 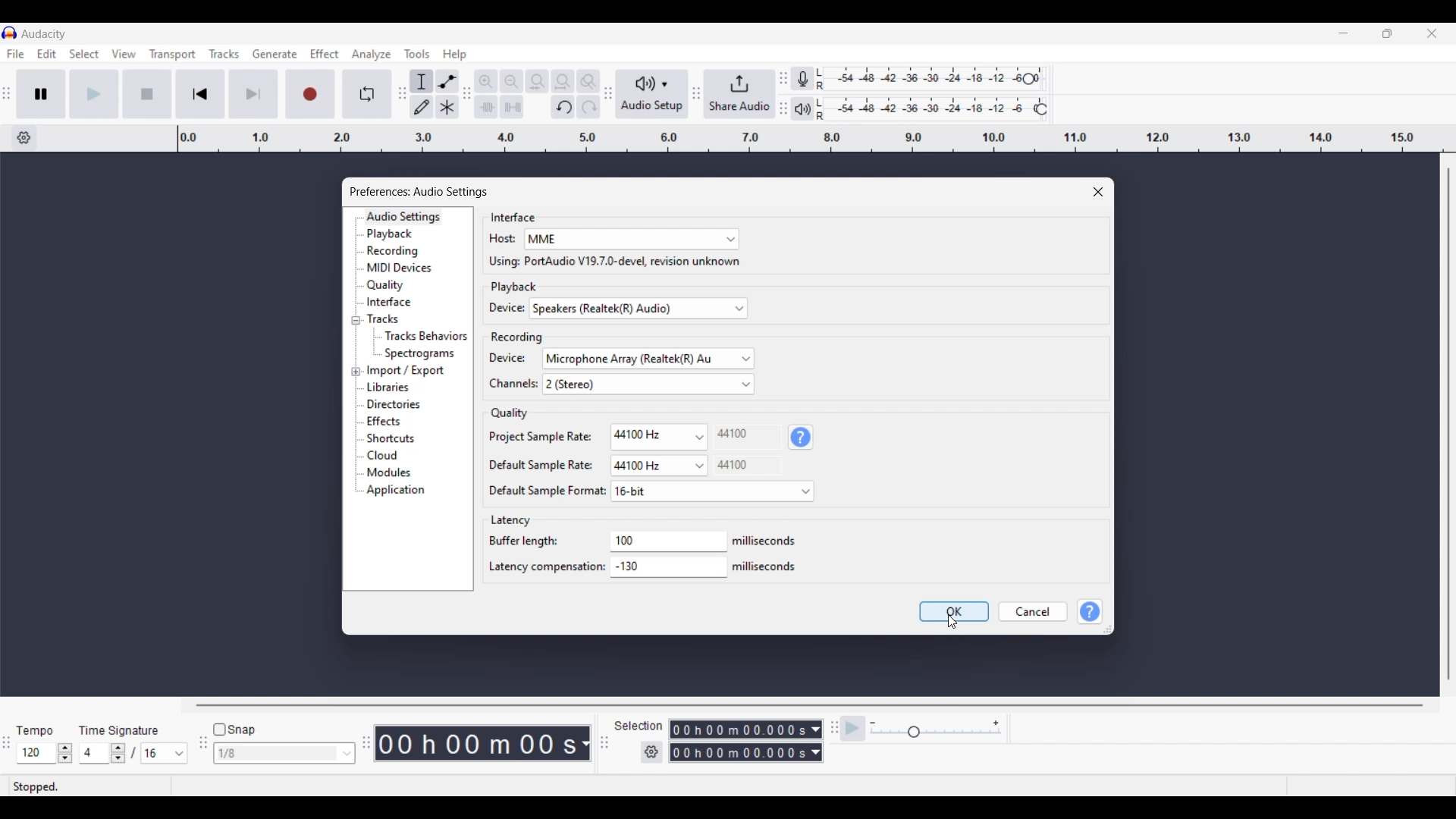 I want to click on Trim audio outside selection, so click(x=485, y=106).